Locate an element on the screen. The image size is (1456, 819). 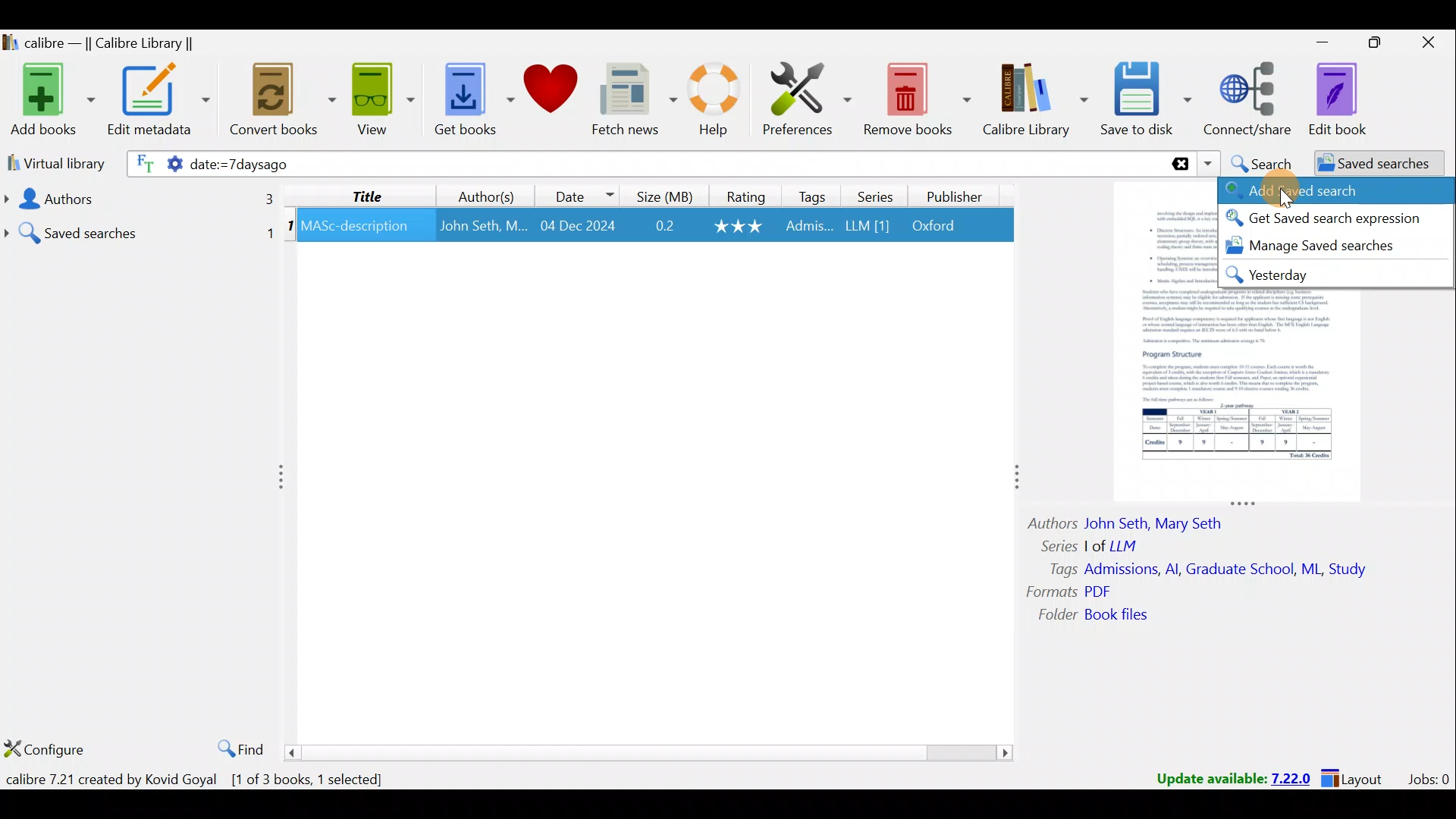
Add books is located at coordinates (49, 97).